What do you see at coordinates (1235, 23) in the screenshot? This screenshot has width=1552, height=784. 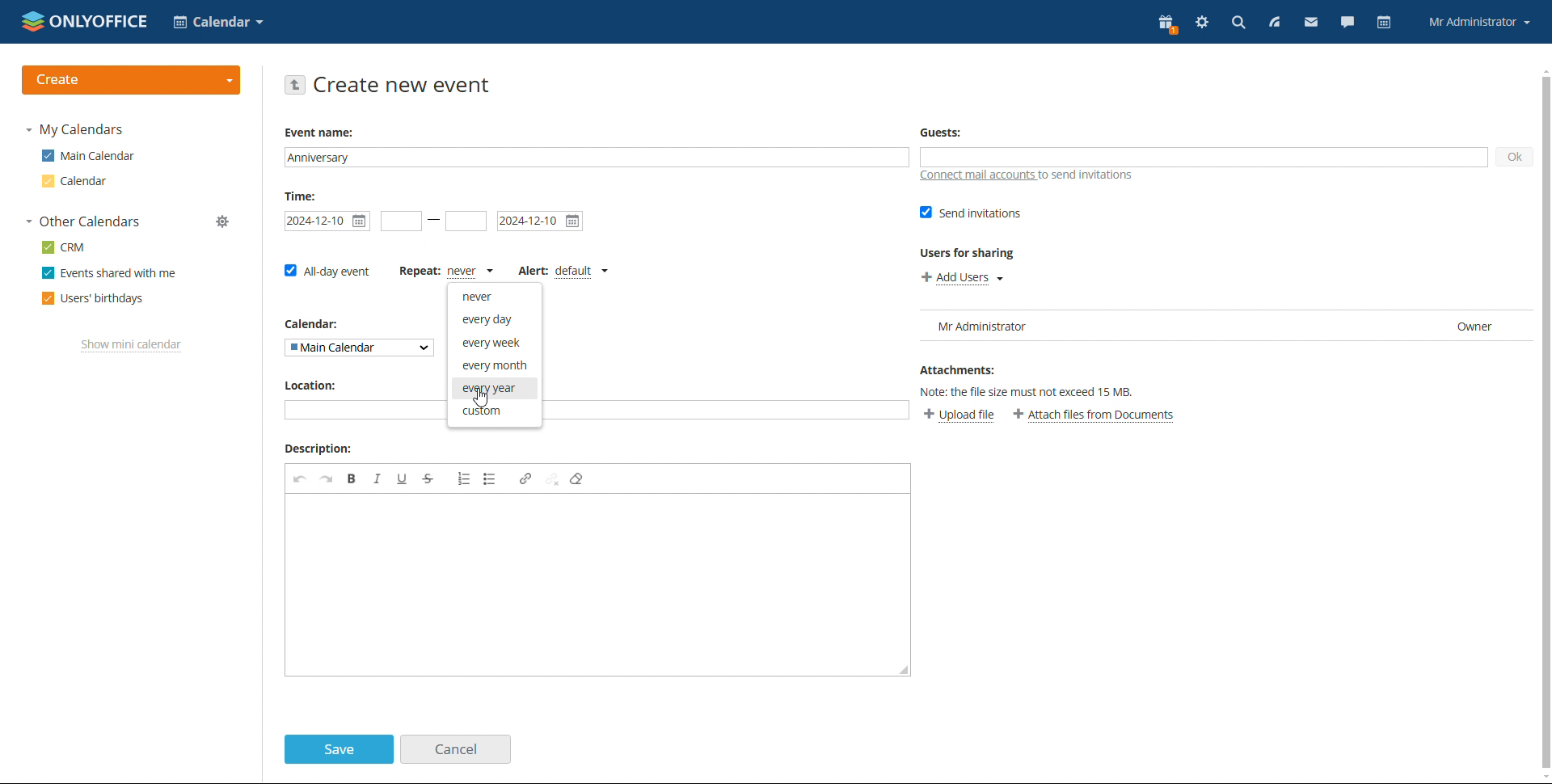 I see `search` at bounding box center [1235, 23].